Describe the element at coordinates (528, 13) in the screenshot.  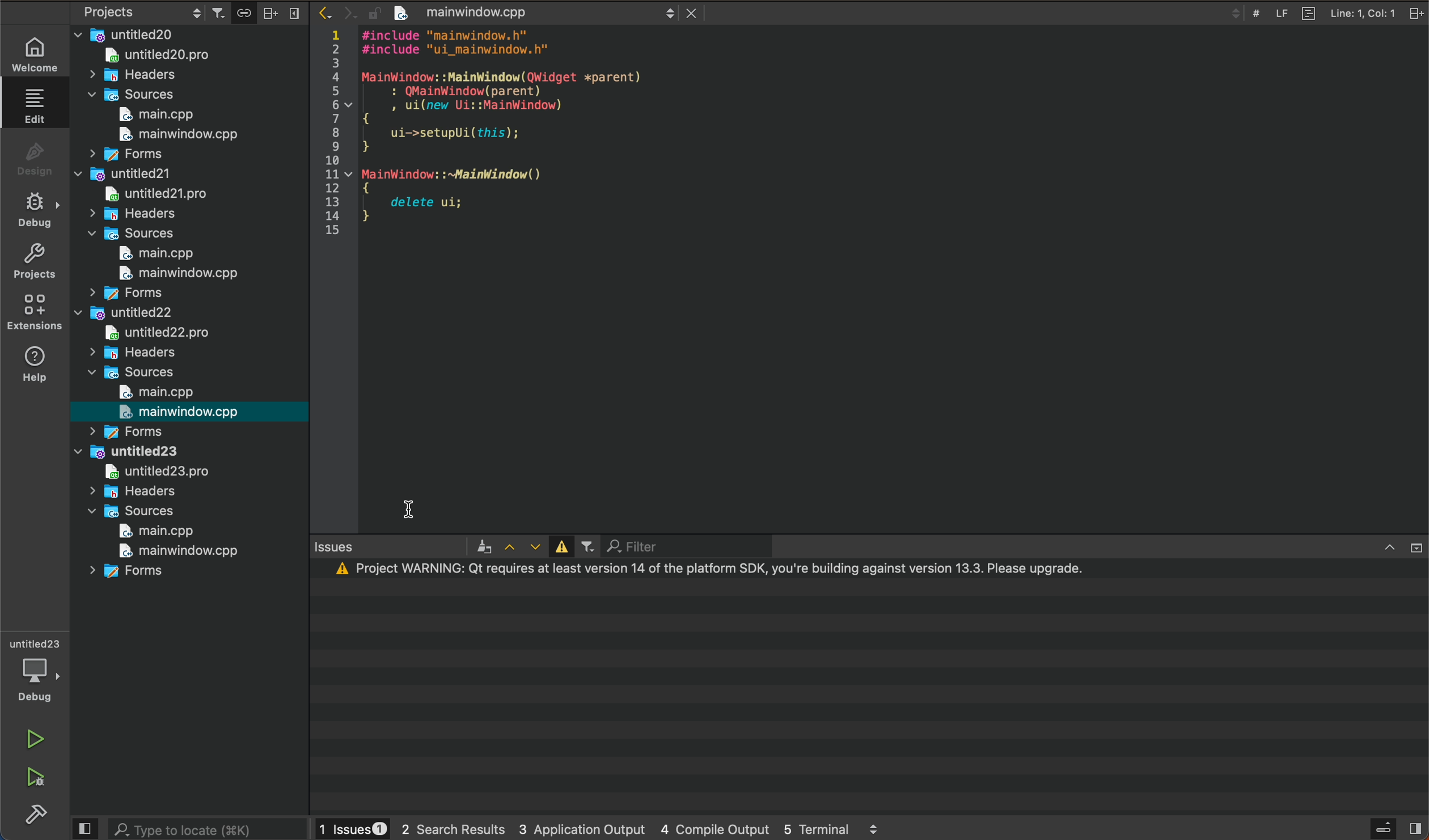
I see `file tab` at that location.